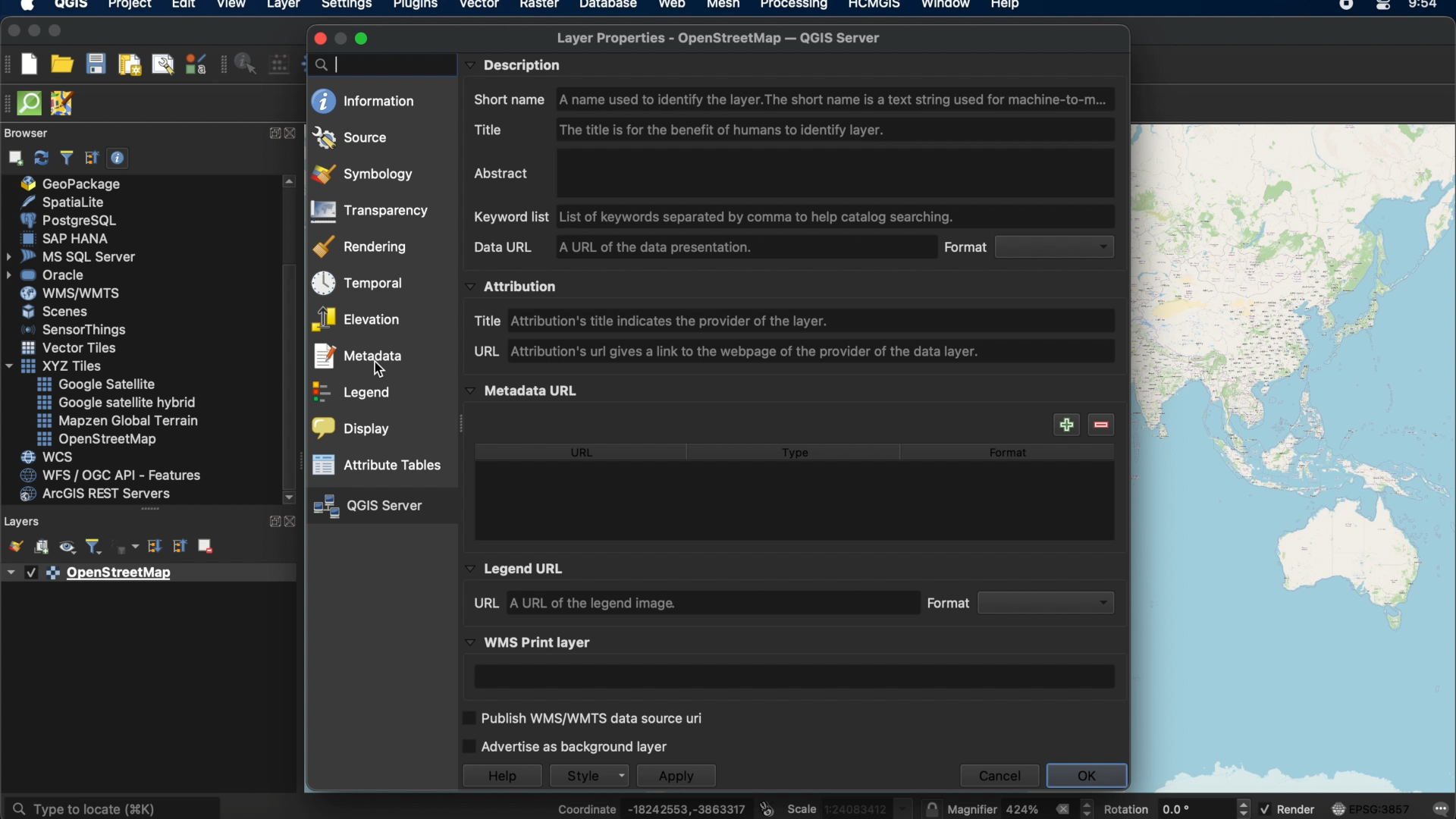  What do you see at coordinates (58, 366) in the screenshot?
I see `xyz tiles` at bounding box center [58, 366].